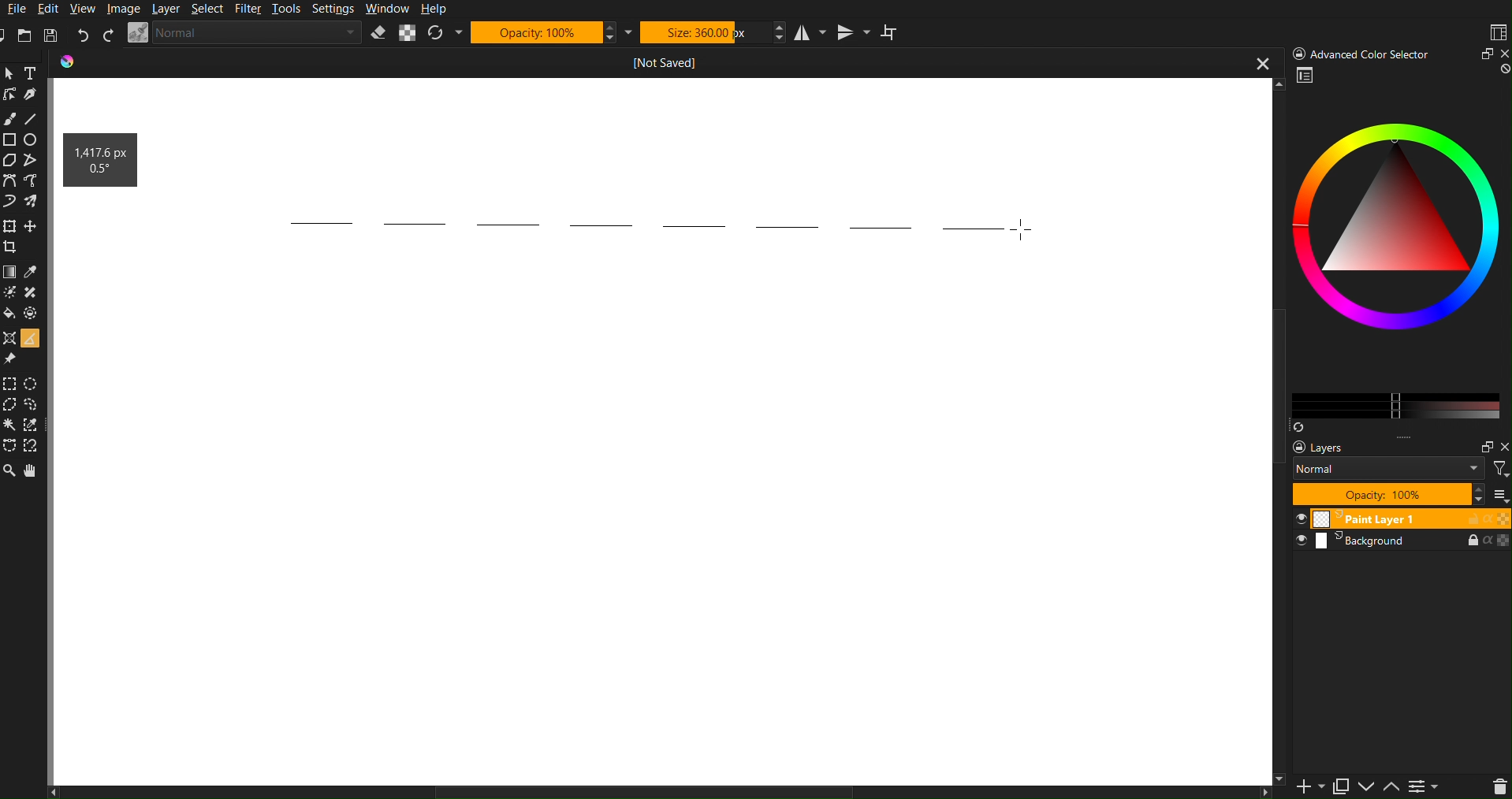  I want to click on Magnet Marquee, so click(32, 448).